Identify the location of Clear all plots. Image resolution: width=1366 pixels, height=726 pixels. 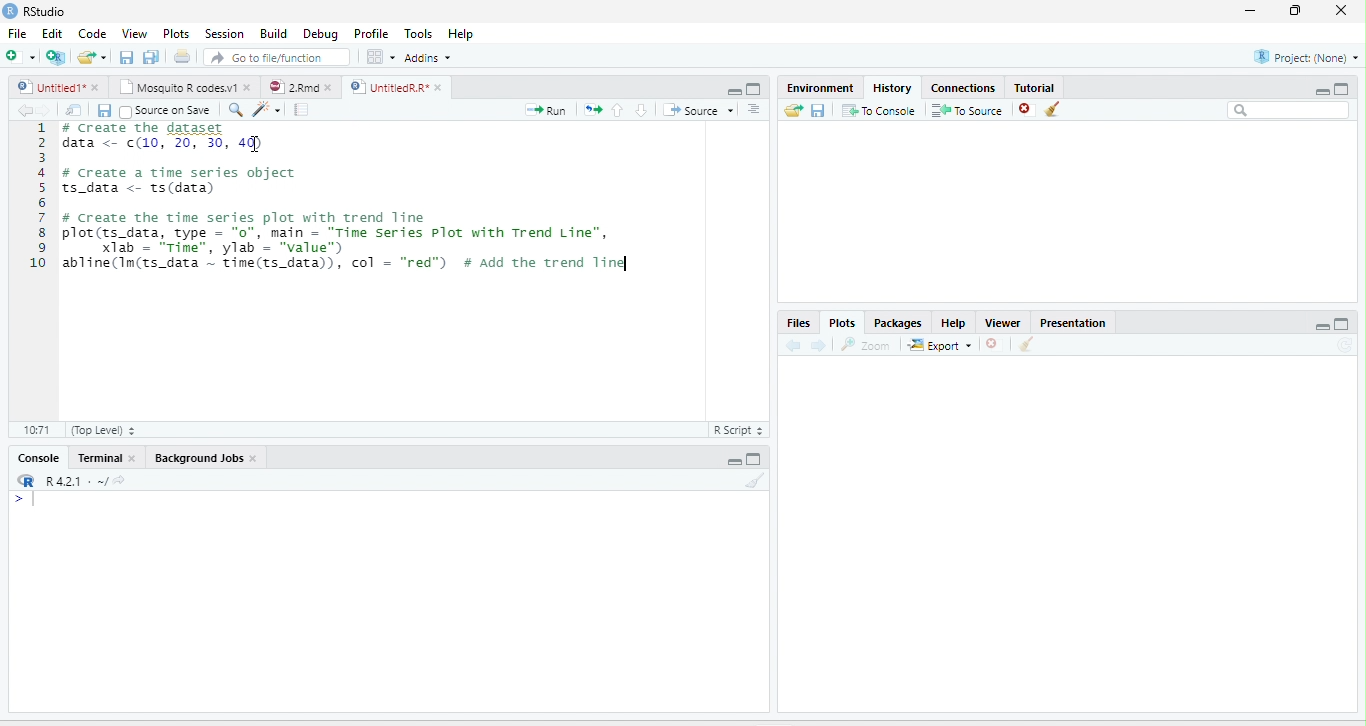
(1027, 344).